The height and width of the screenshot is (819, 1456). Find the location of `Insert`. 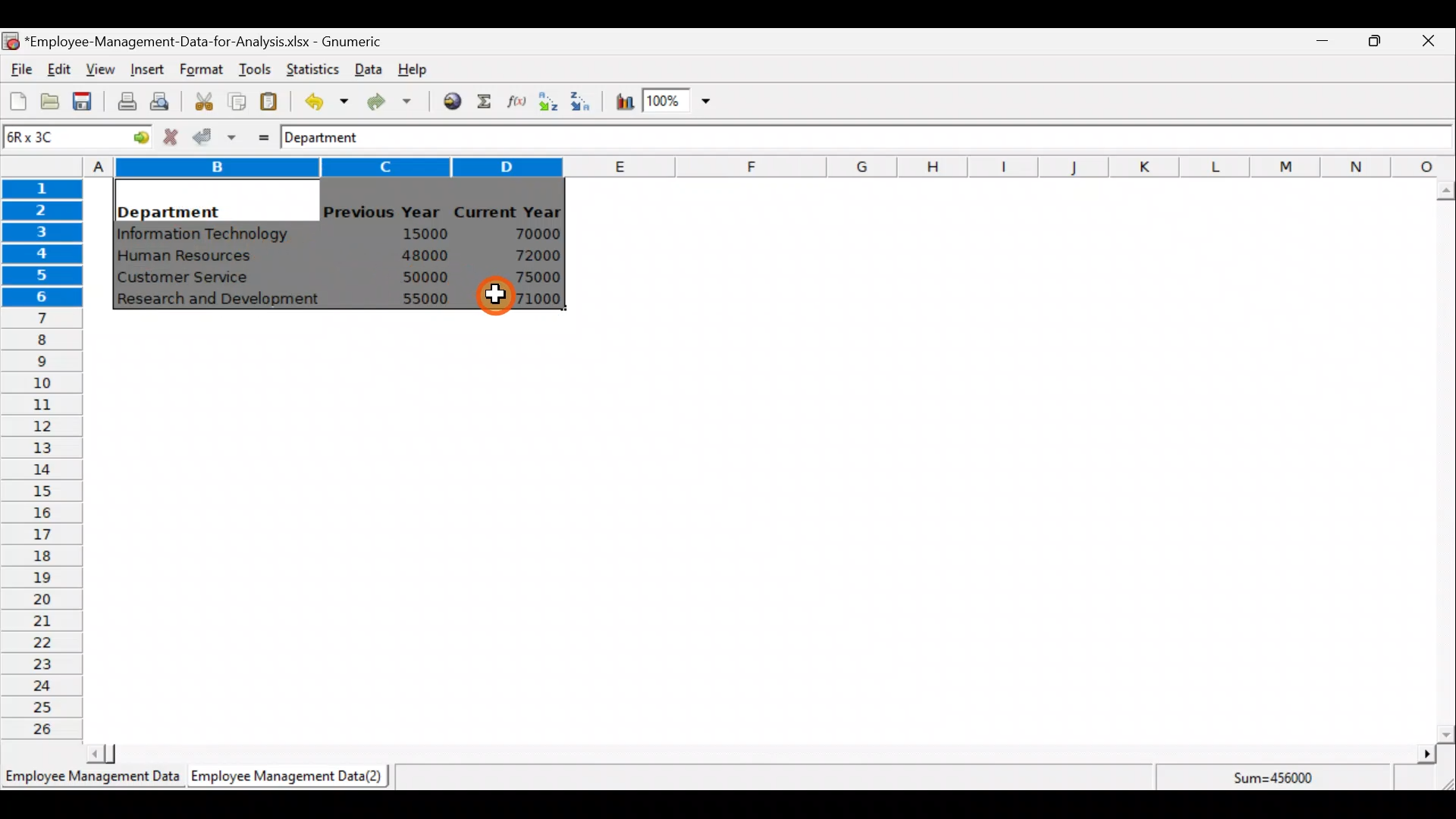

Insert is located at coordinates (146, 70).